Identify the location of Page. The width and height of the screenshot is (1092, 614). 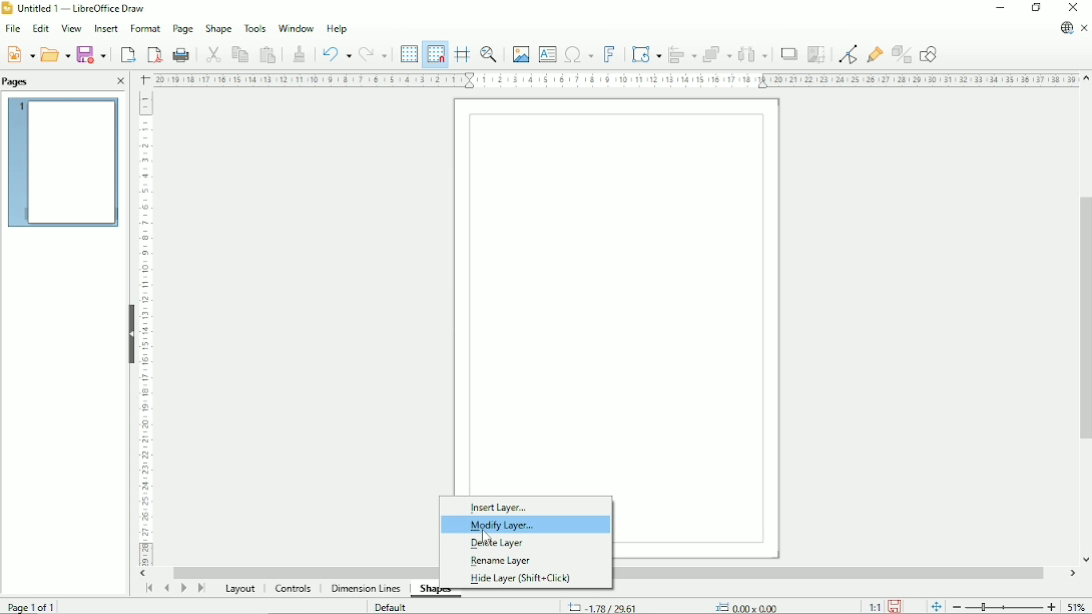
(182, 29).